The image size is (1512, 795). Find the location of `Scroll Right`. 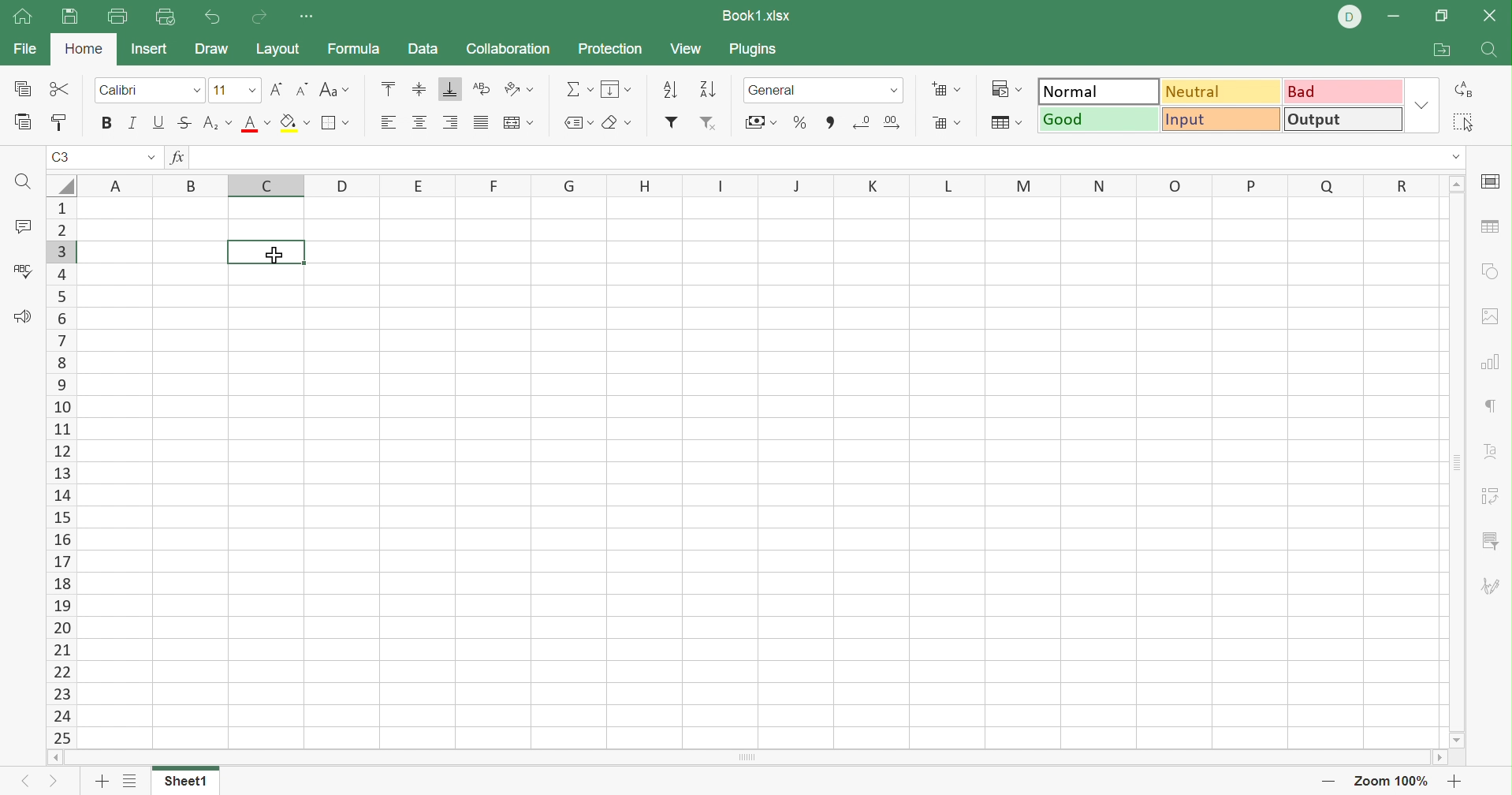

Scroll Right is located at coordinates (1437, 757).